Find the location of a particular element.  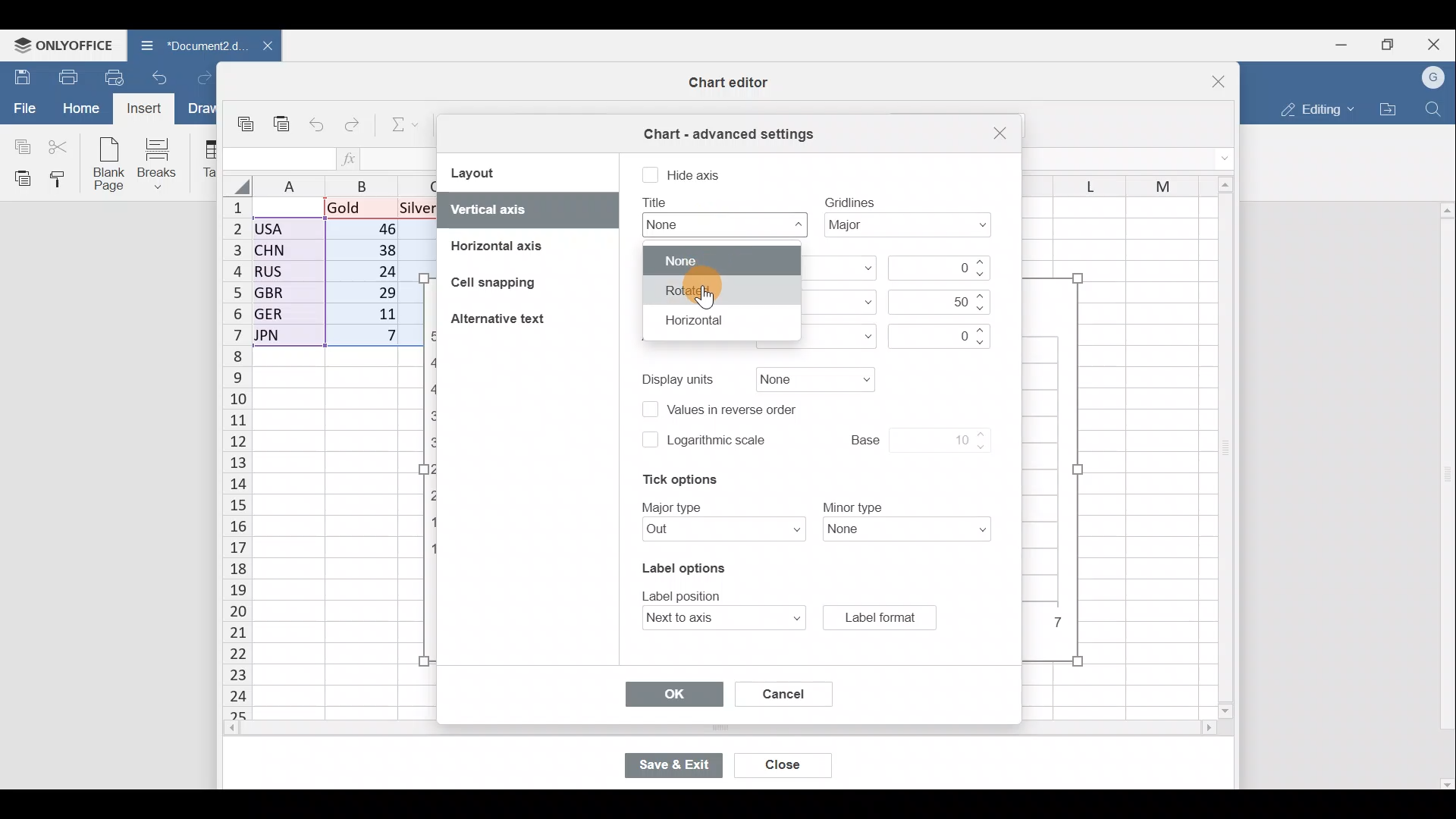

Open file location is located at coordinates (1386, 108).